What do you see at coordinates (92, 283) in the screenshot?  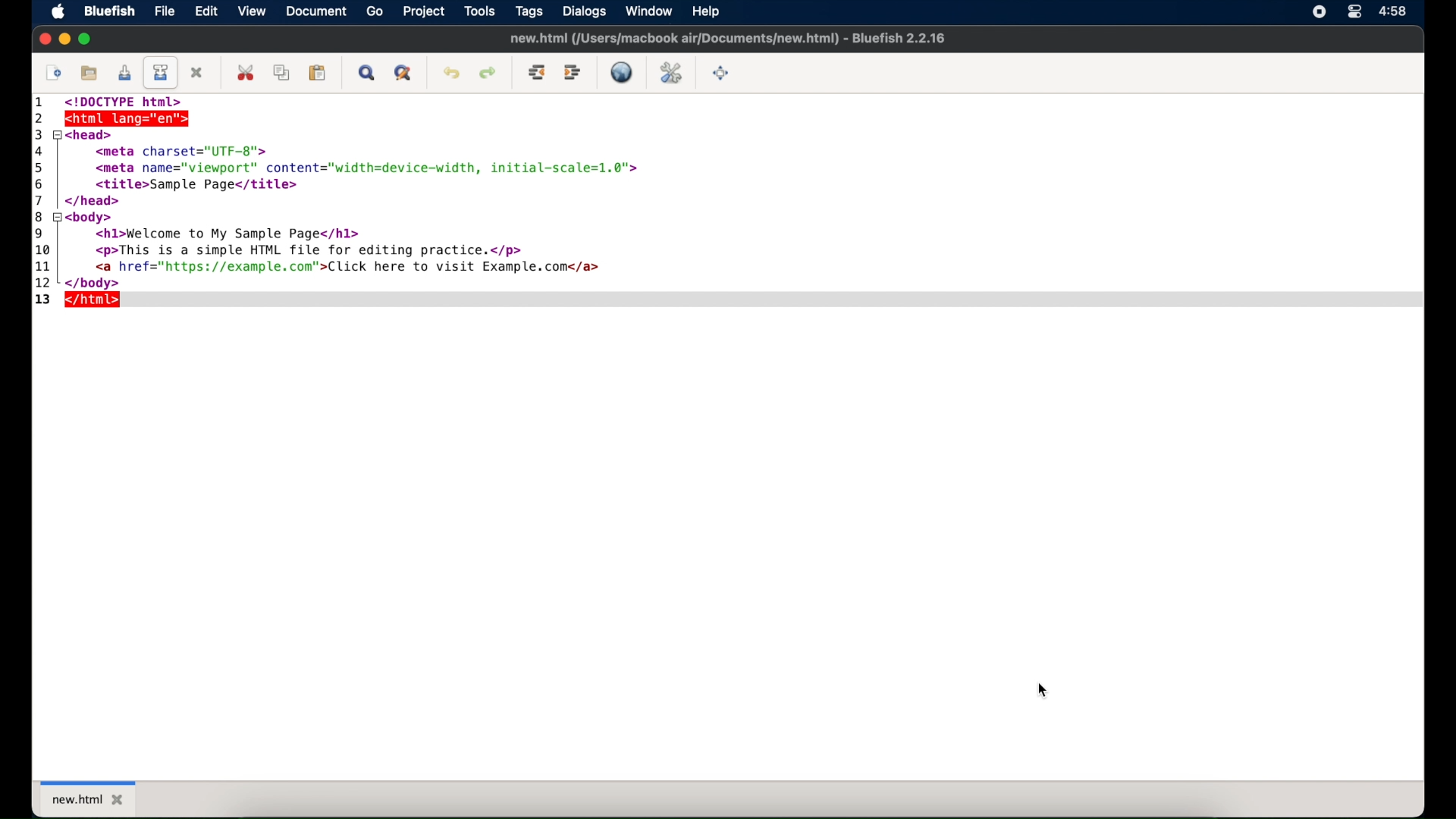 I see `</body>` at bounding box center [92, 283].